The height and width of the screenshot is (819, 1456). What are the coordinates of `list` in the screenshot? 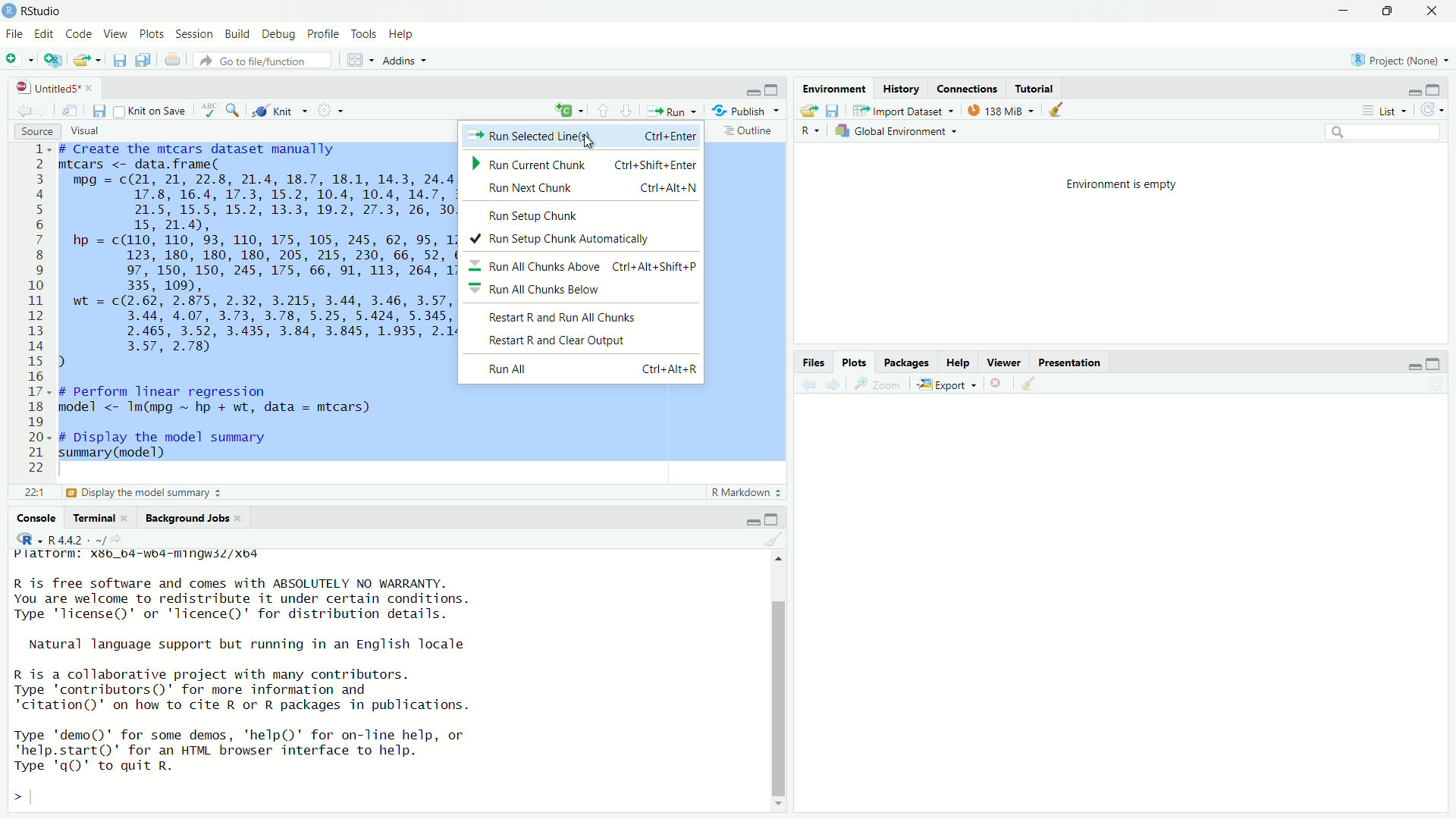 It's located at (1389, 111).